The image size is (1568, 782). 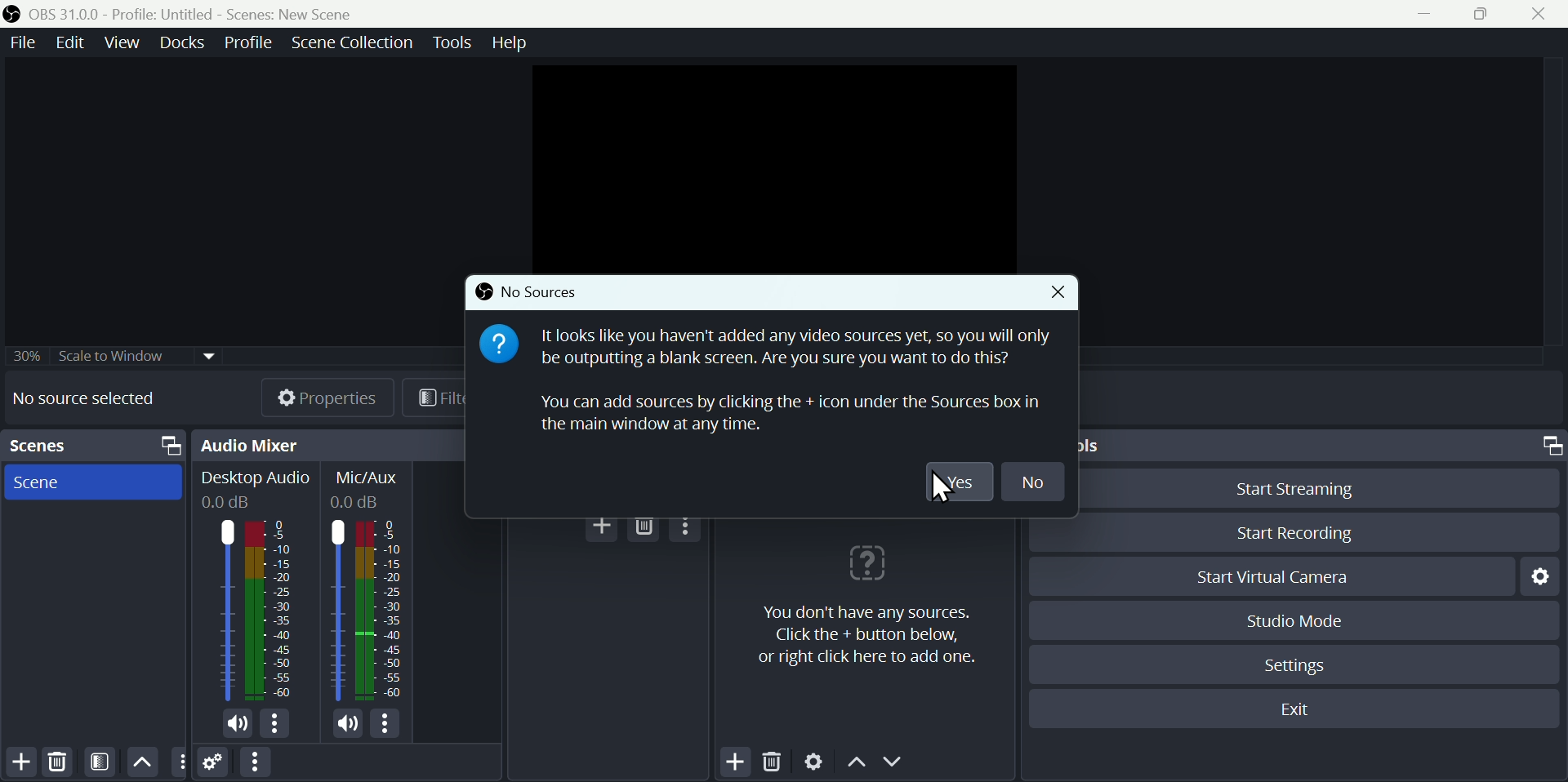 I want to click on Properties, so click(x=327, y=395).